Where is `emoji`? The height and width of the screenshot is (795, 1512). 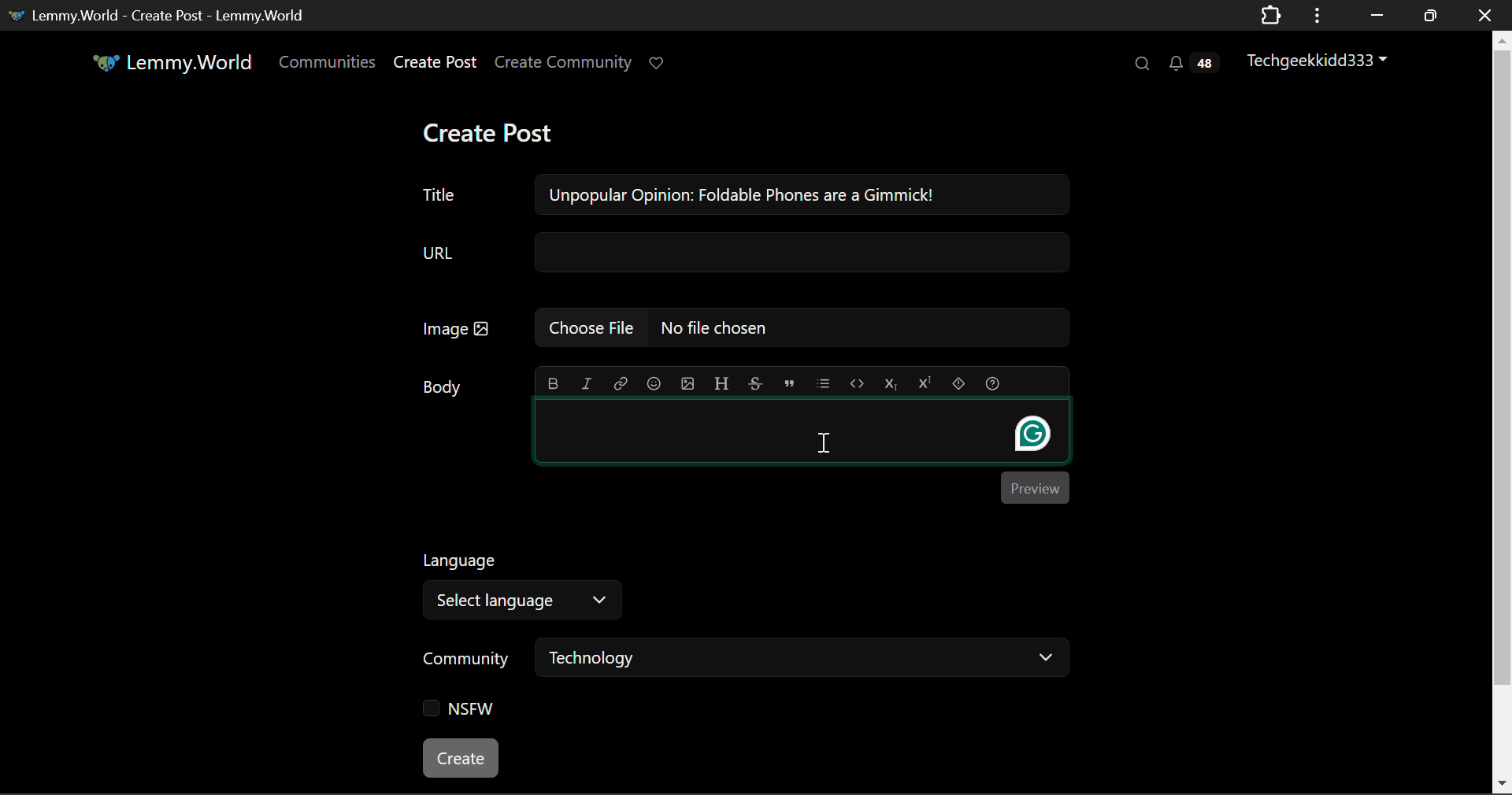
emoji is located at coordinates (651, 382).